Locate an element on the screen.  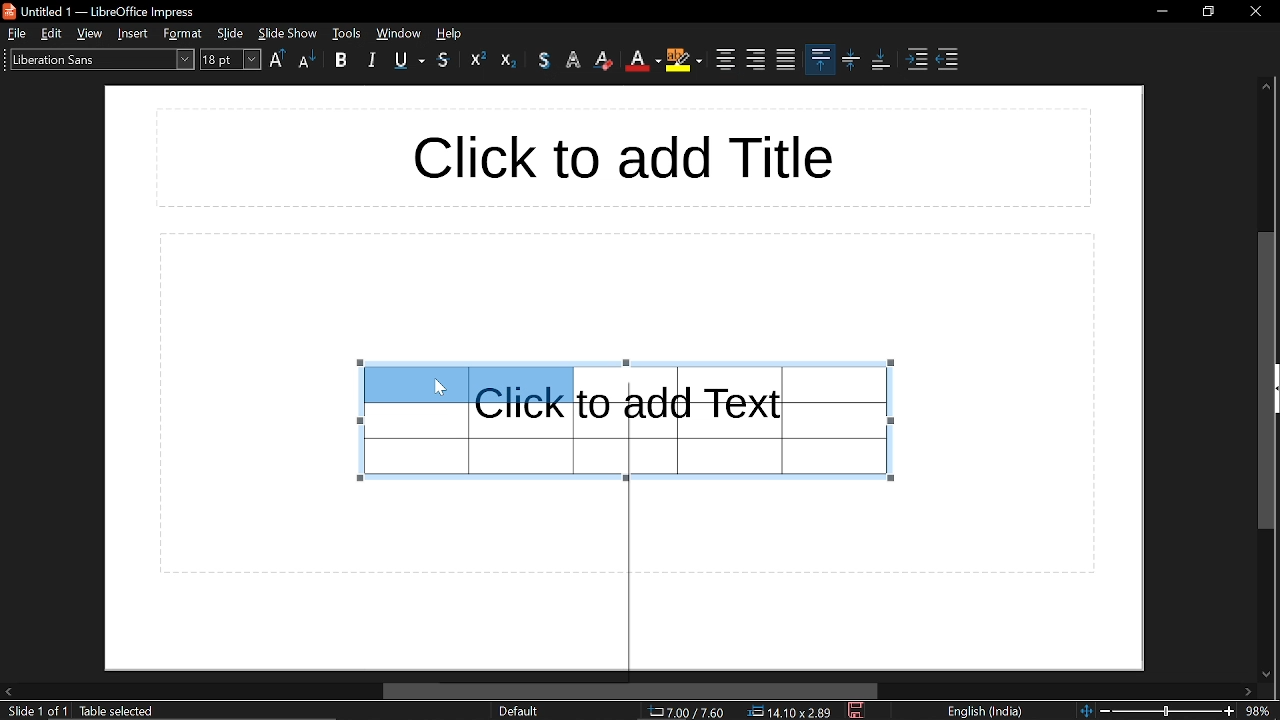
subscript is located at coordinates (509, 59).